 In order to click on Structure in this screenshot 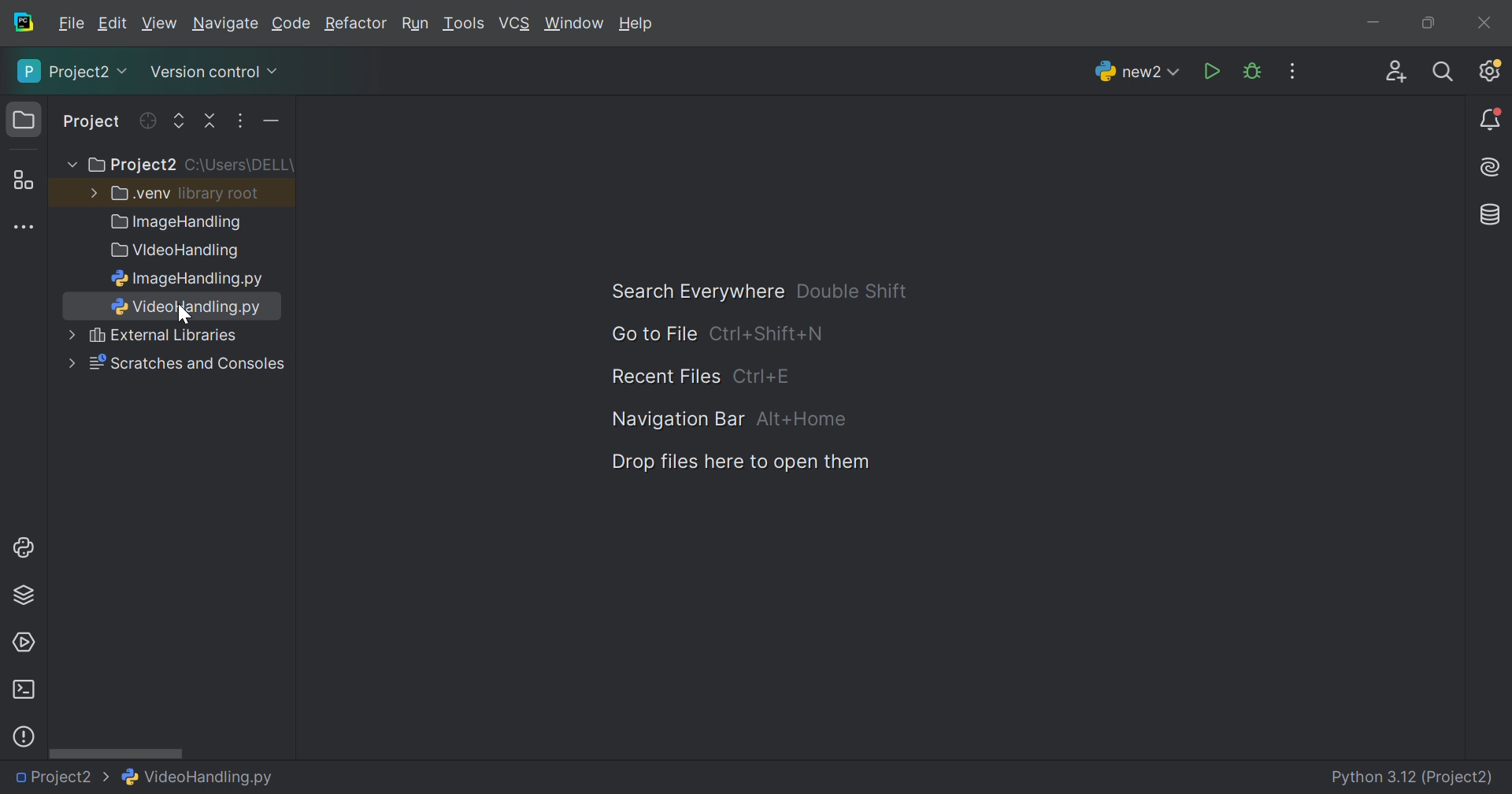, I will do `click(23, 181)`.